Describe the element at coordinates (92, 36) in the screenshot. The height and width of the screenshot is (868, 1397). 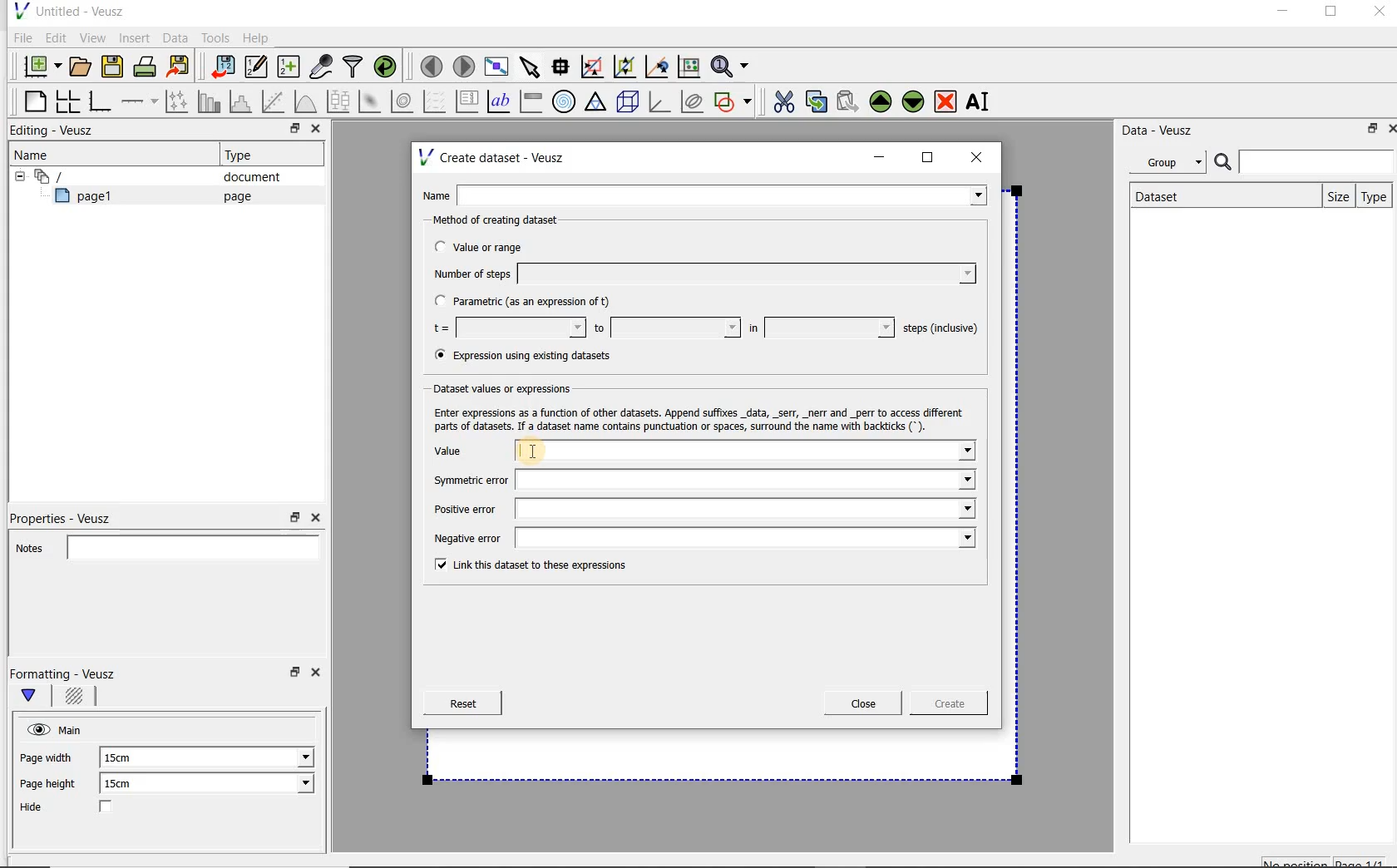
I see `View` at that location.